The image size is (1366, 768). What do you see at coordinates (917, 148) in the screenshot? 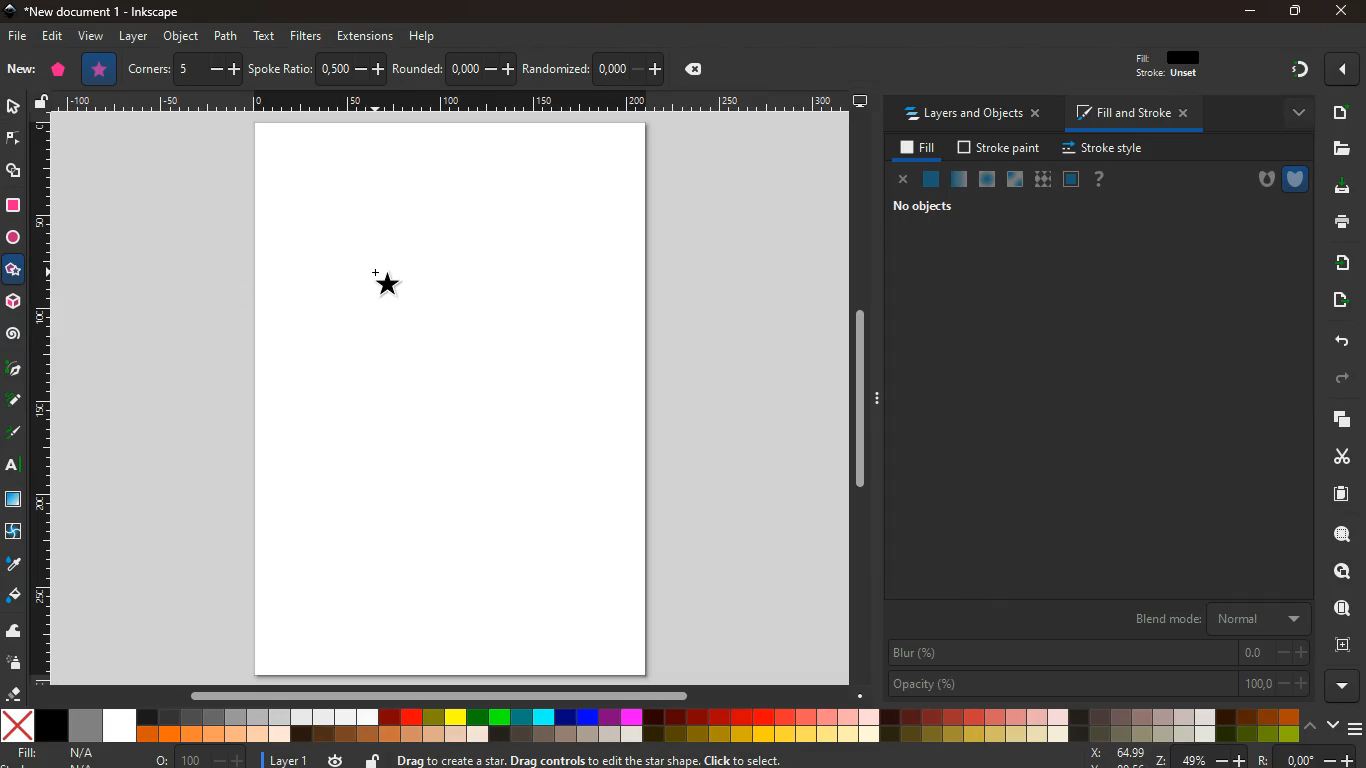
I see `fill` at bounding box center [917, 148].